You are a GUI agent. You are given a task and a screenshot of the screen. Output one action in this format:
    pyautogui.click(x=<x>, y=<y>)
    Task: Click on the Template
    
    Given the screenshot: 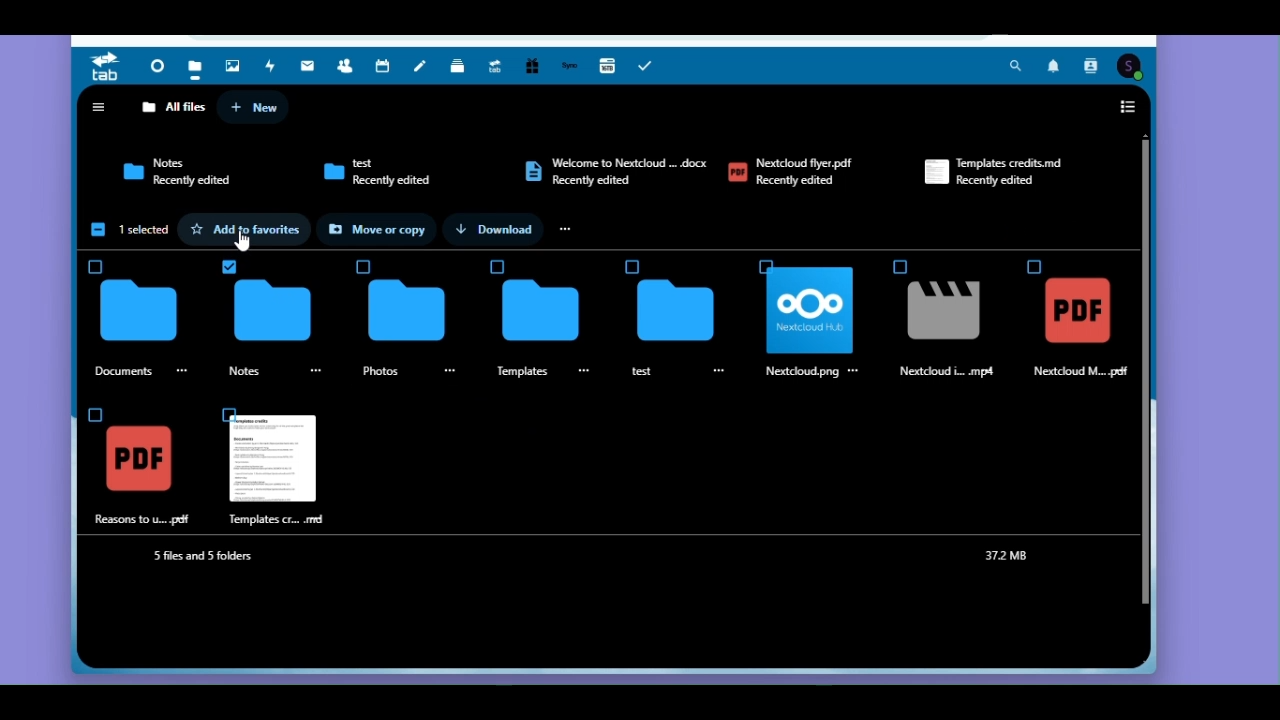 What is the action you would take?
    pyautogui.click(x=519, y=373)
    